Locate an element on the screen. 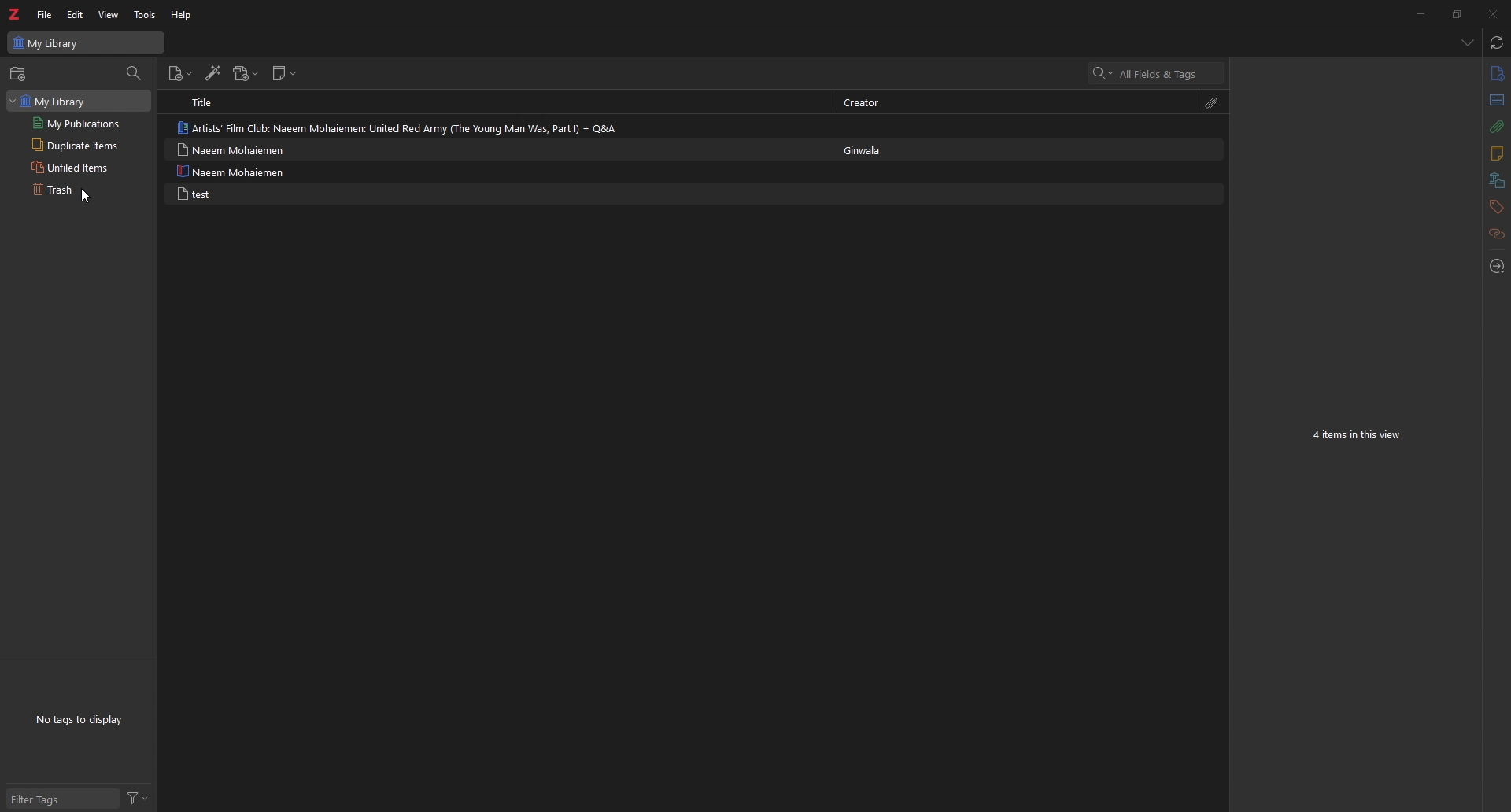 This screenshot has width=1511, height=812. search bar is located at coordinates (1158, 74).